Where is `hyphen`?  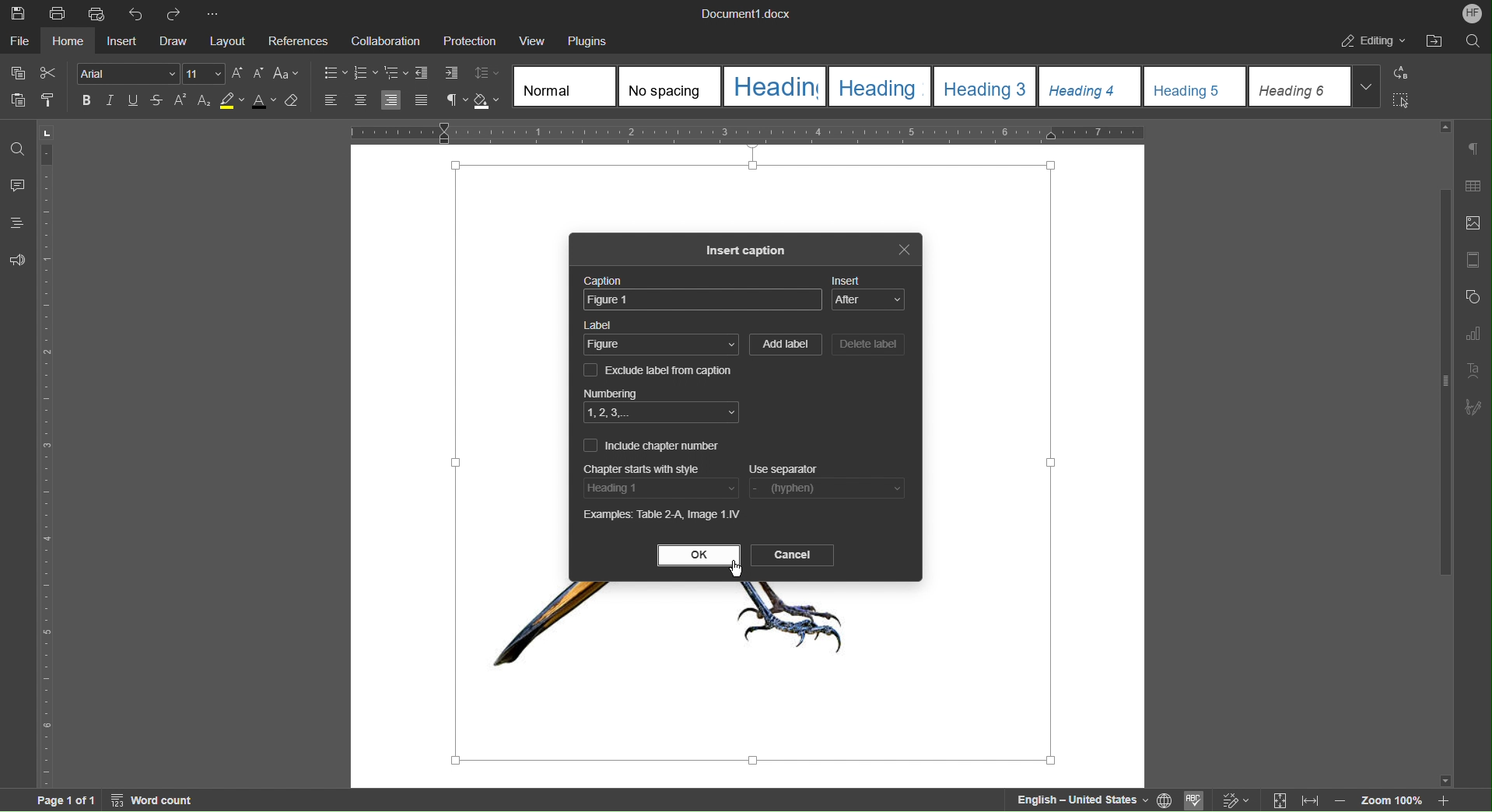 hyphen is located at coordinates (826, 489).